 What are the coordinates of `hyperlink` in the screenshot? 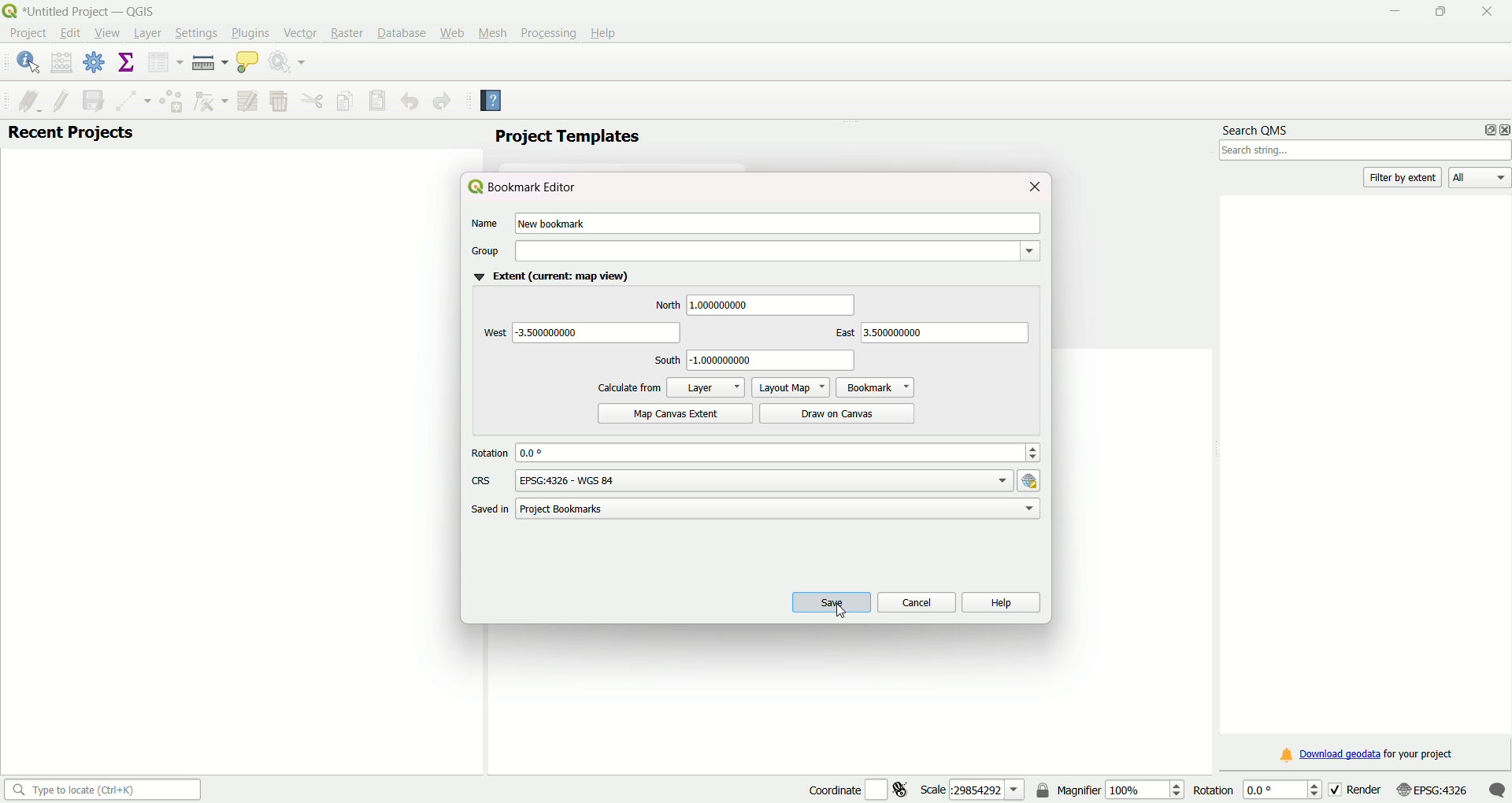 It's located at (1032, 480).